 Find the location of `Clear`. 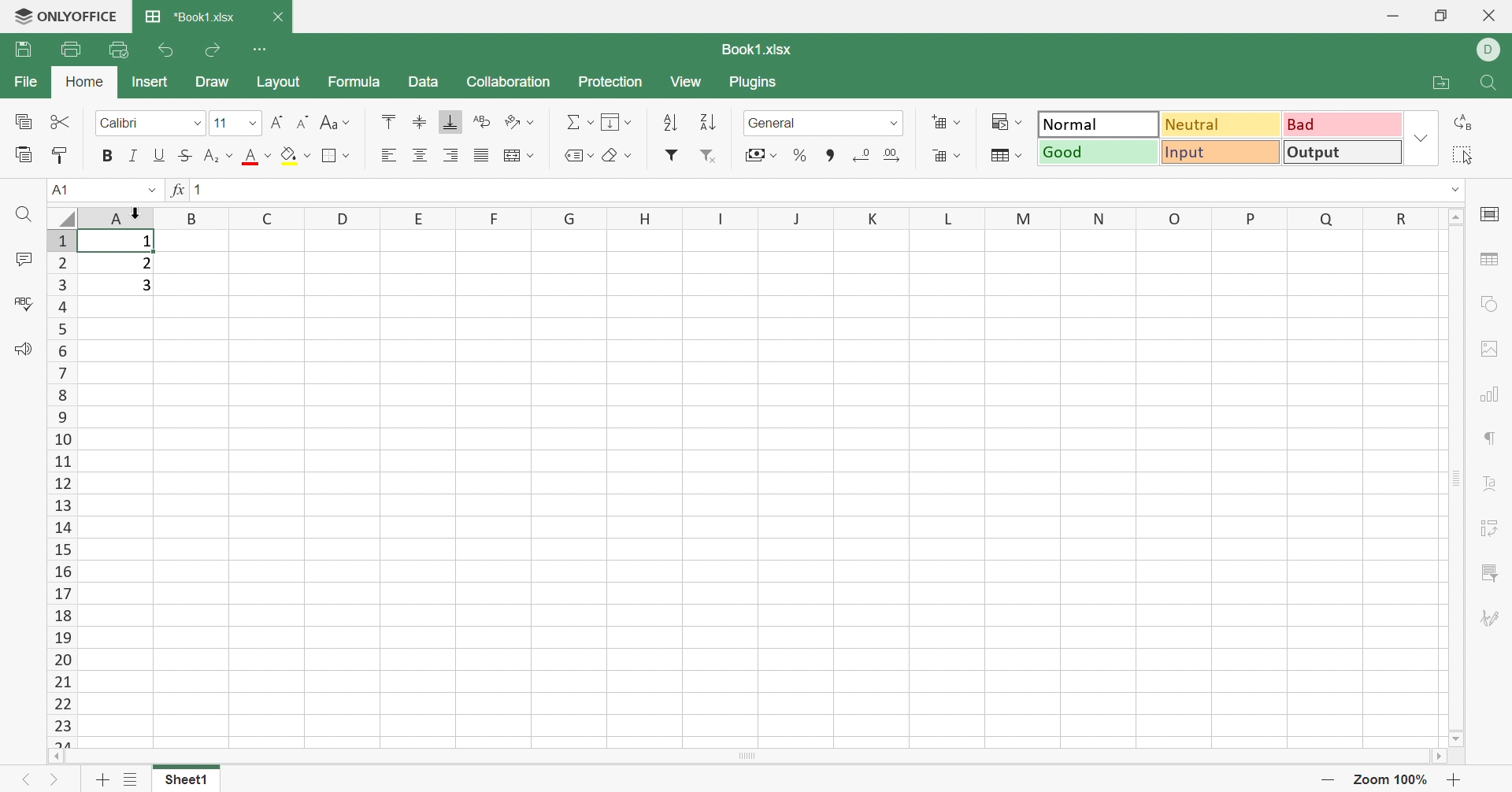

Clear is located at coordinates (615, 156).